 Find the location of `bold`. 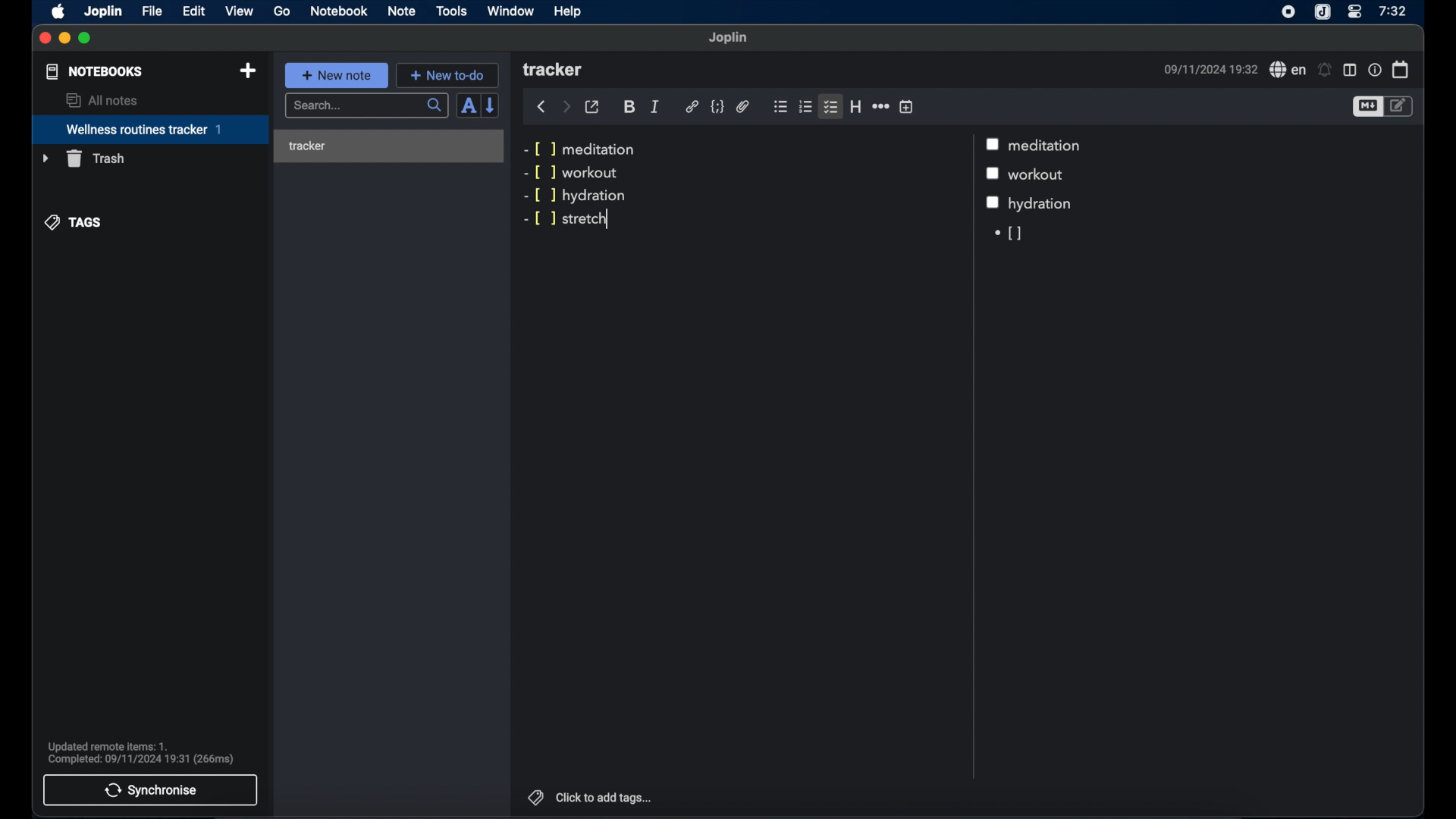

bold is located at coordinates (629, 108).